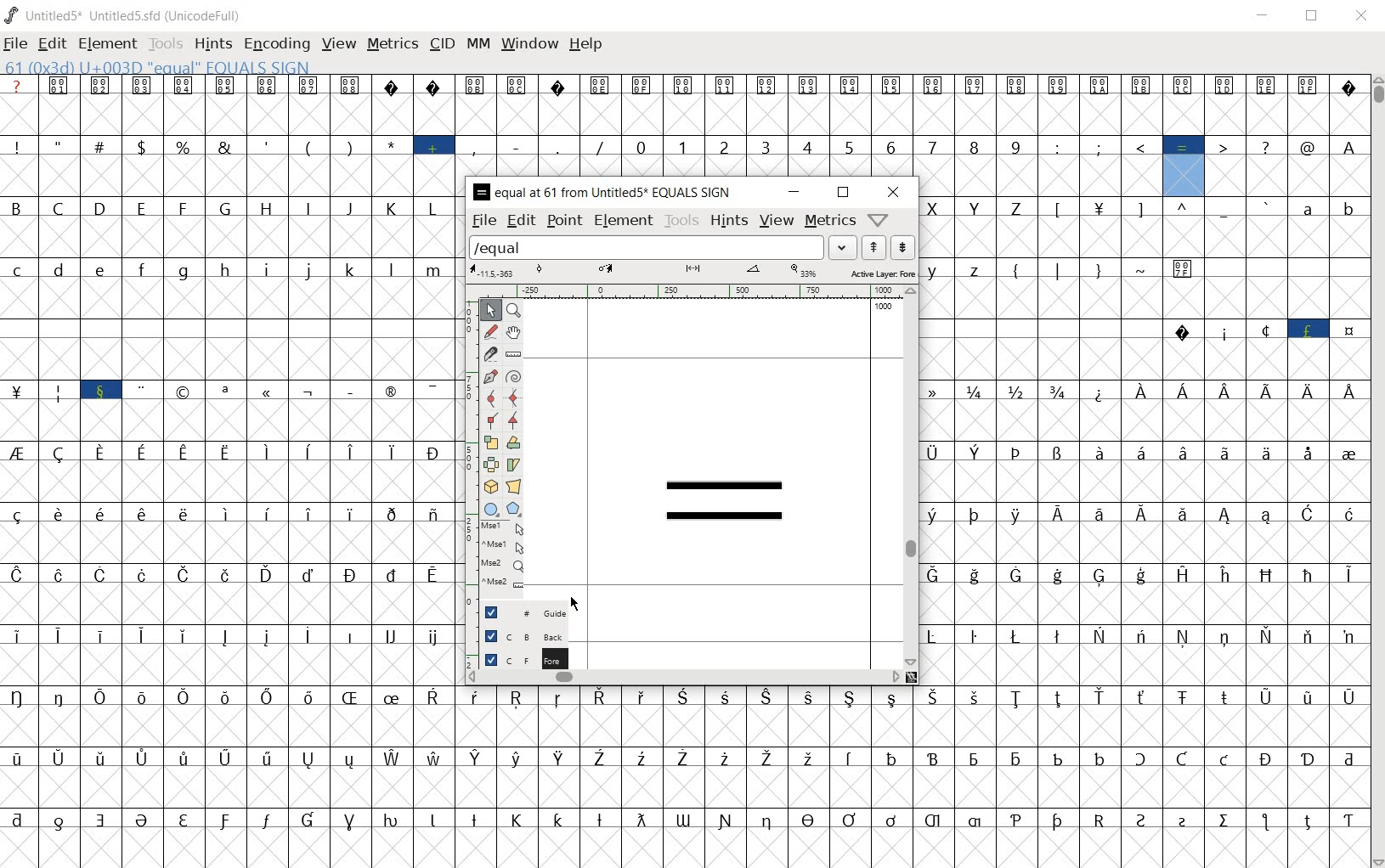  Describe the element at coordinates (806, 125) in the screenshot. I see `glyph characters` at that location.